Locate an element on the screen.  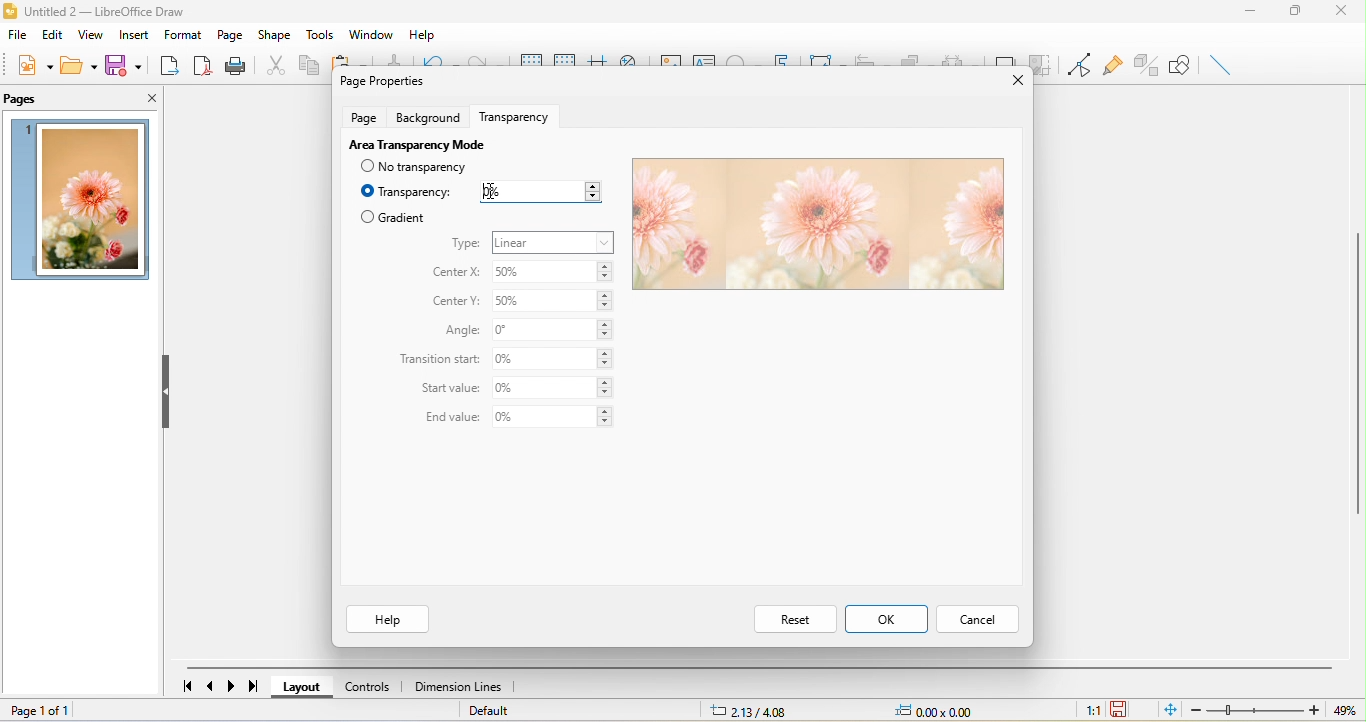
1:1 is located at coordinates (1092, 712).